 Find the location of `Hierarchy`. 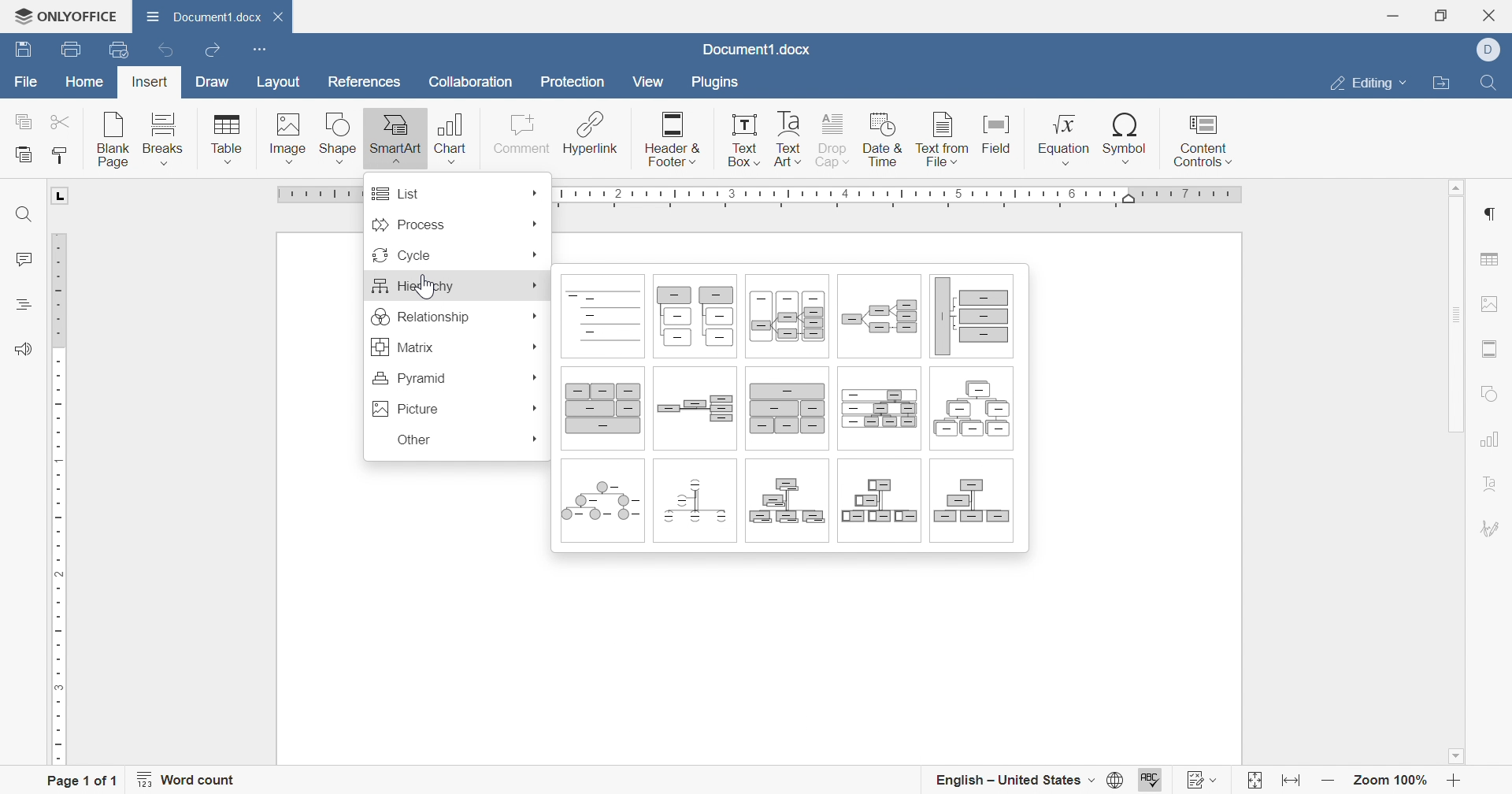

Hierarchy is located at coordinates (968, 410).